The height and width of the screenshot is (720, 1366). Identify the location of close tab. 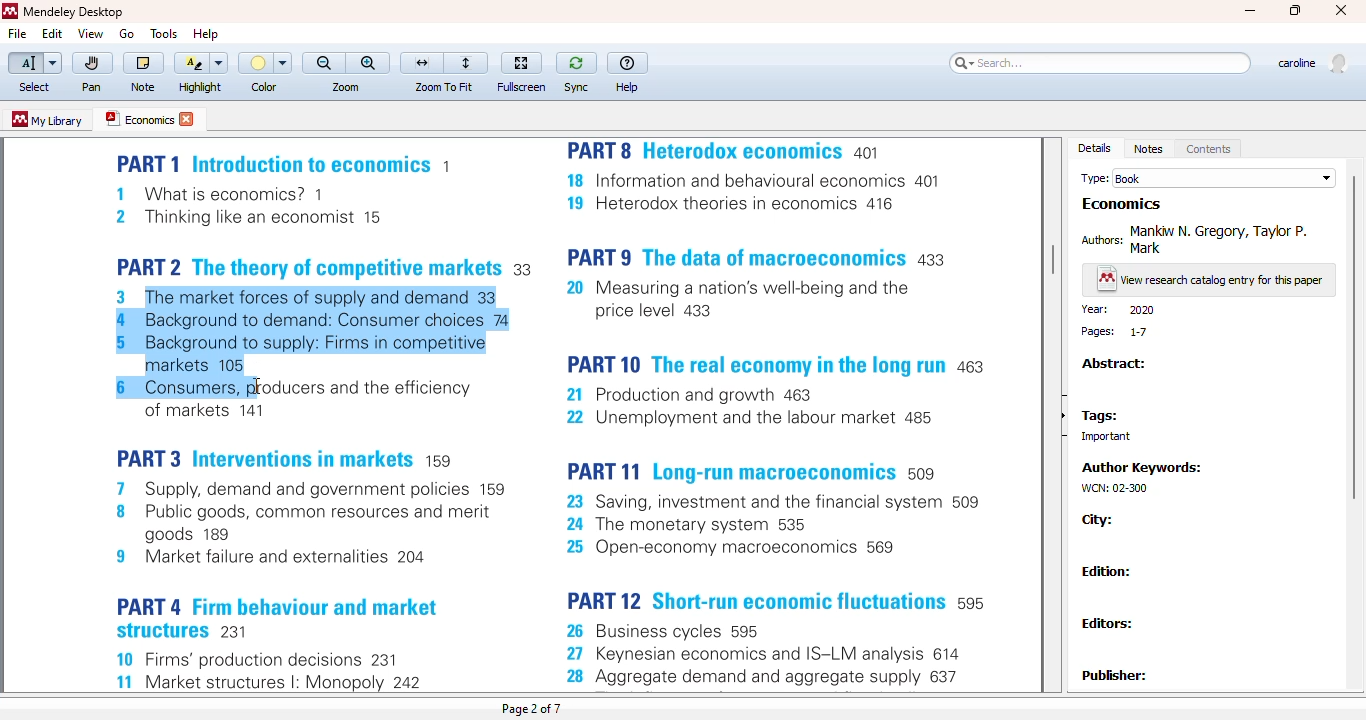
(188, 119).